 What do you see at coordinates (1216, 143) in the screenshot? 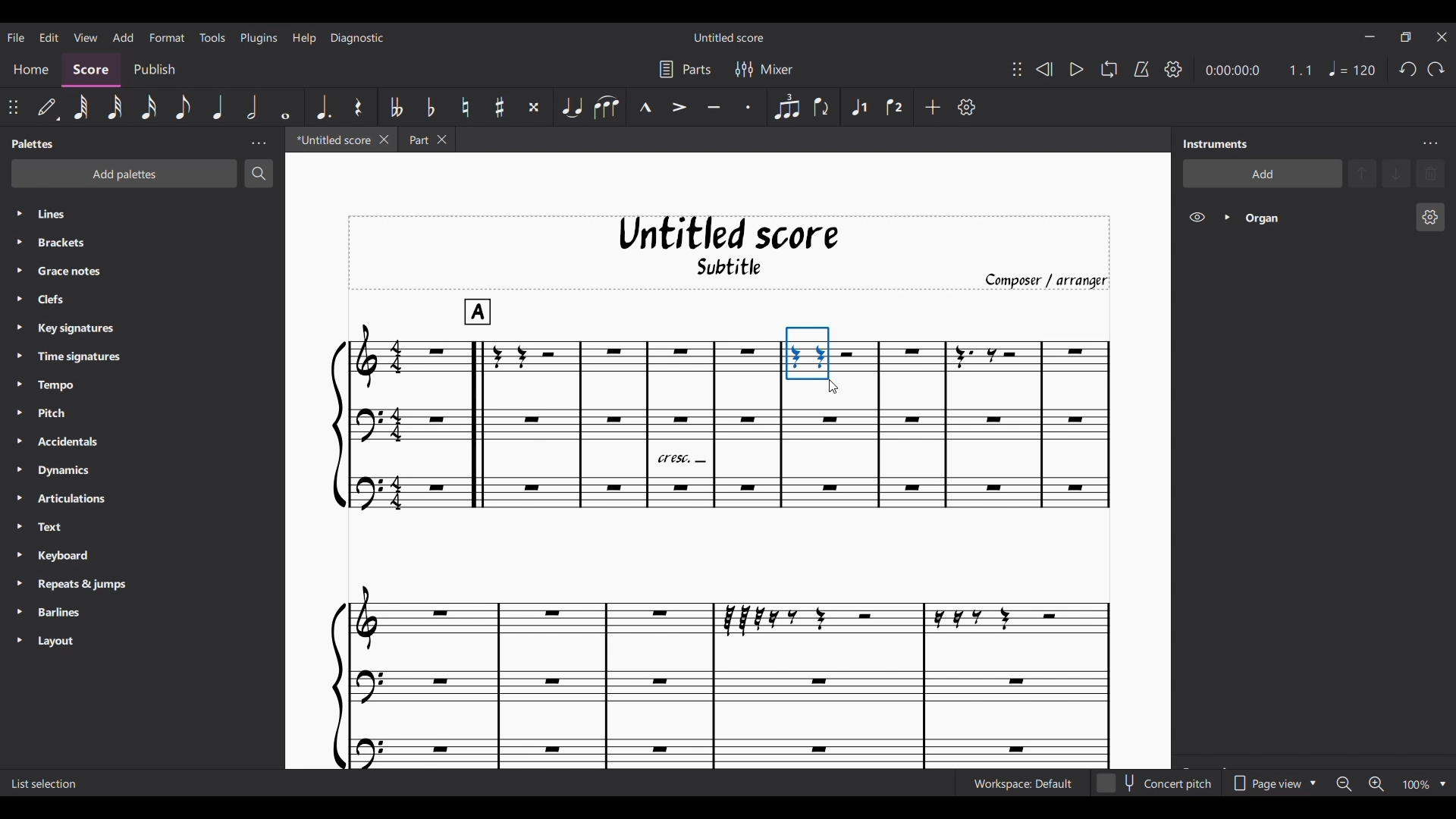
I see `Panel title` at bounding box center [1216, 143].